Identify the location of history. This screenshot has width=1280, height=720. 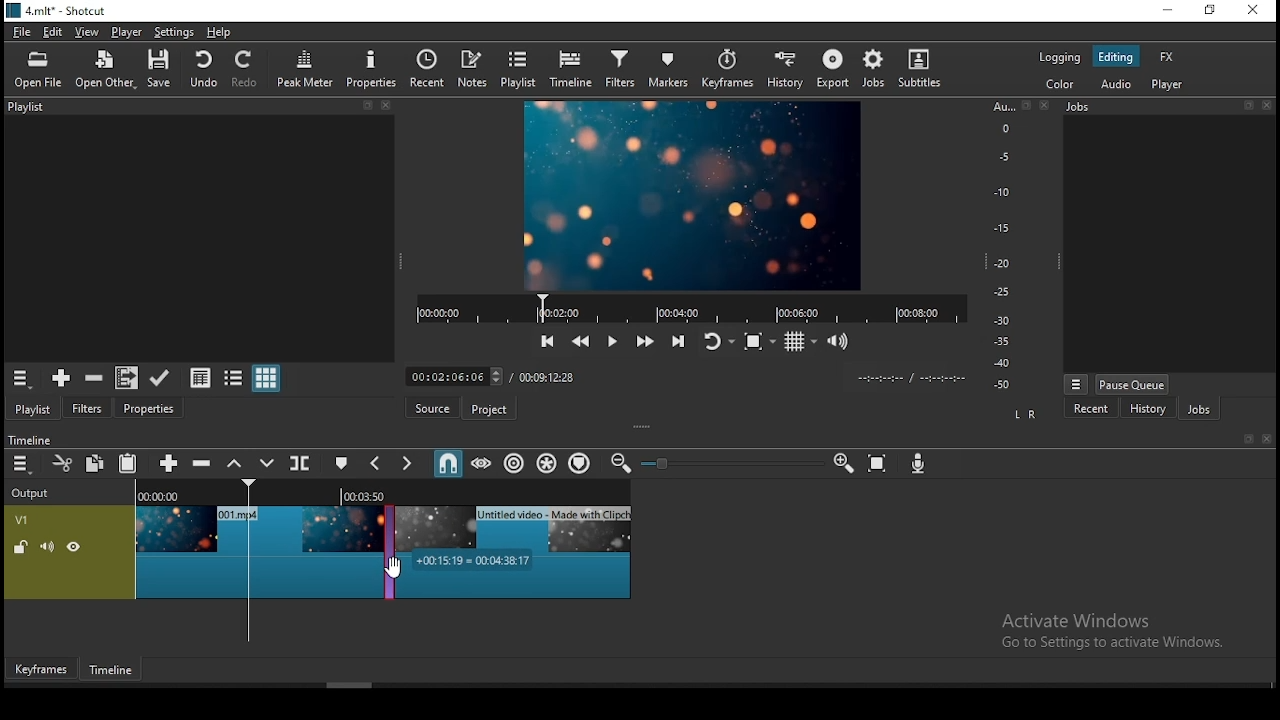
(1148, 408).